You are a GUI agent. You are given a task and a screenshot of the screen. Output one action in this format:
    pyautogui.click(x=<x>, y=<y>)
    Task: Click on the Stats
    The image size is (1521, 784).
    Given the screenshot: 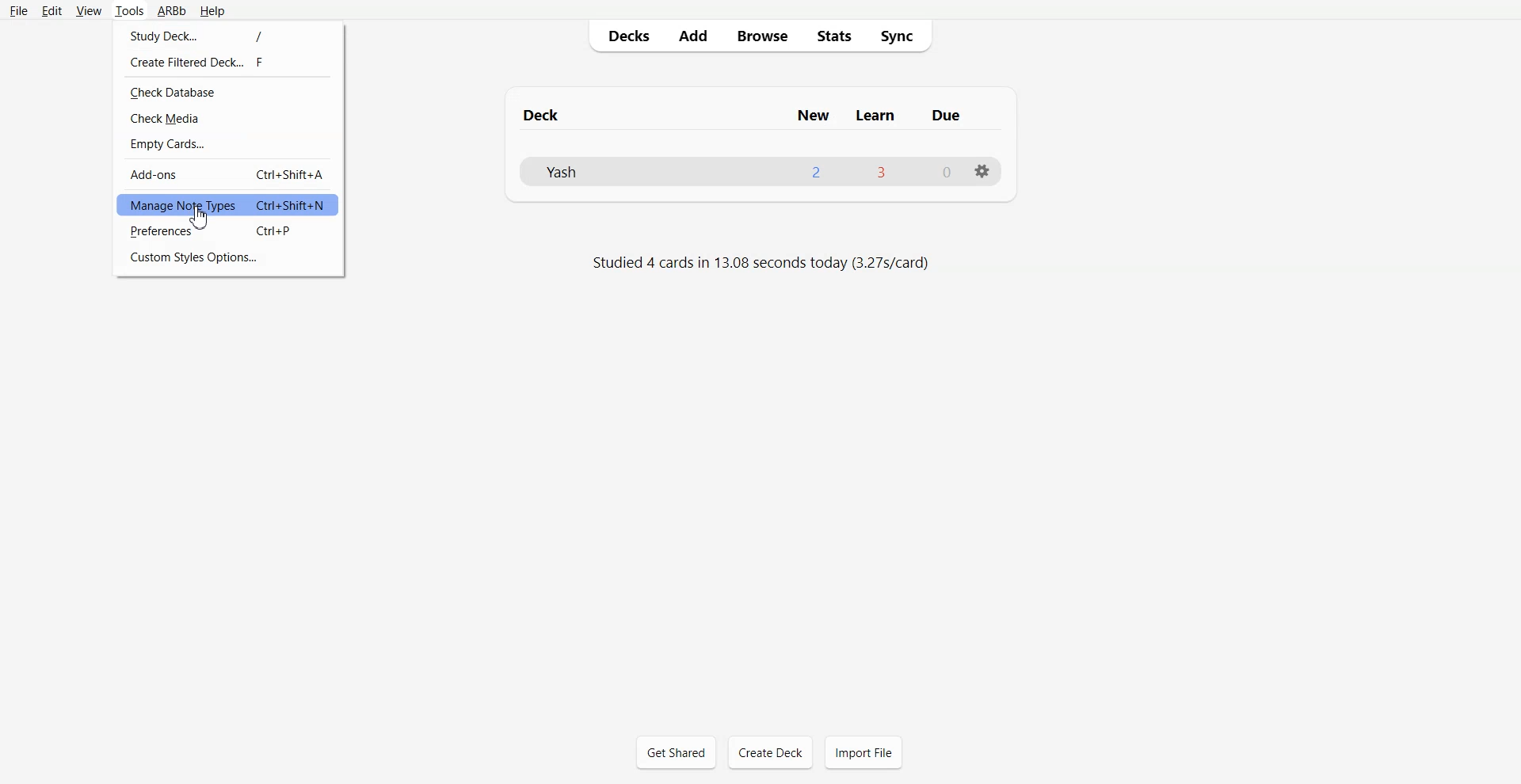 What is the action you would take?
    pyautogui.click(x=831, y=36)
    